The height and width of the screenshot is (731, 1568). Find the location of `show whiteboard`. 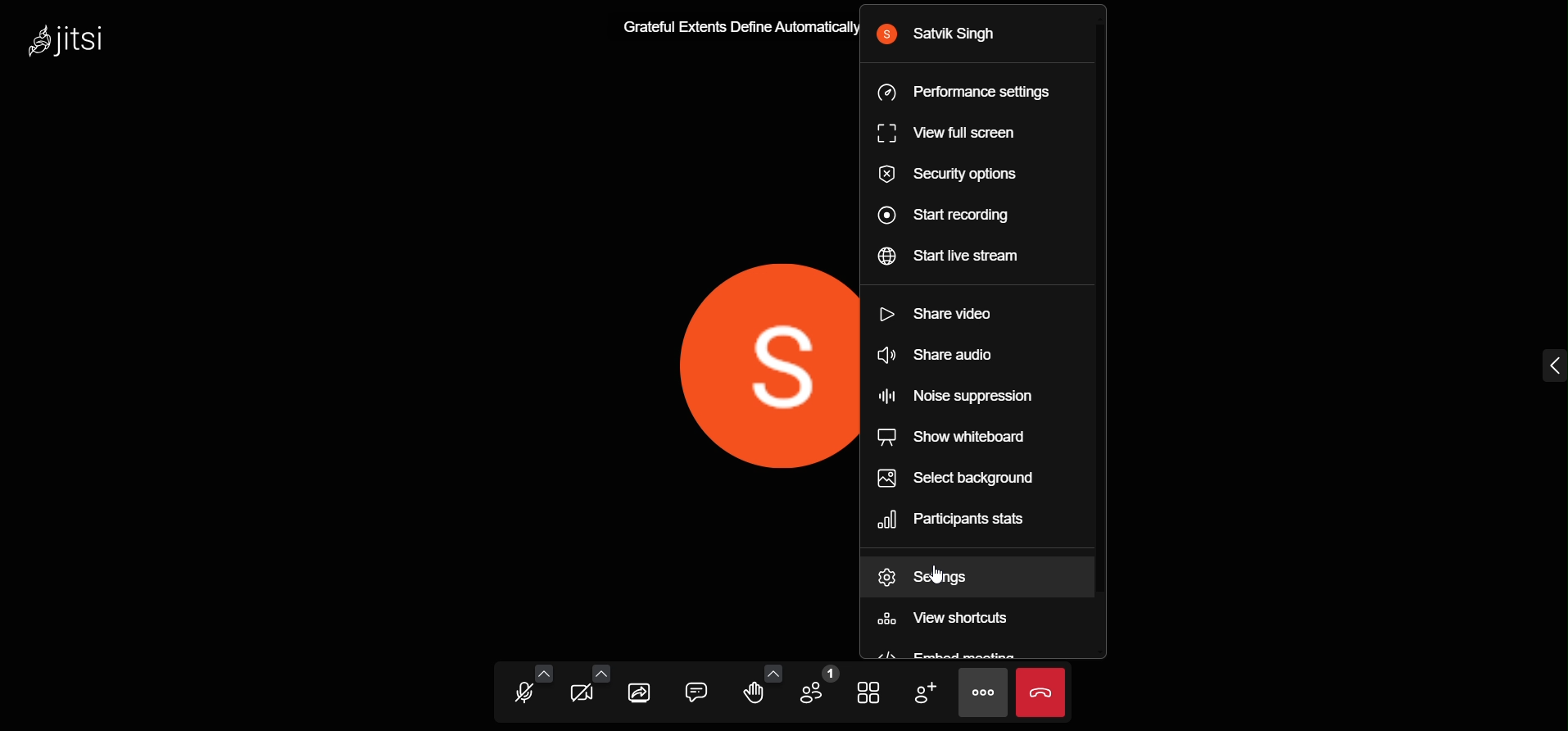

show whiteboard is located at coordinates (955, 437).